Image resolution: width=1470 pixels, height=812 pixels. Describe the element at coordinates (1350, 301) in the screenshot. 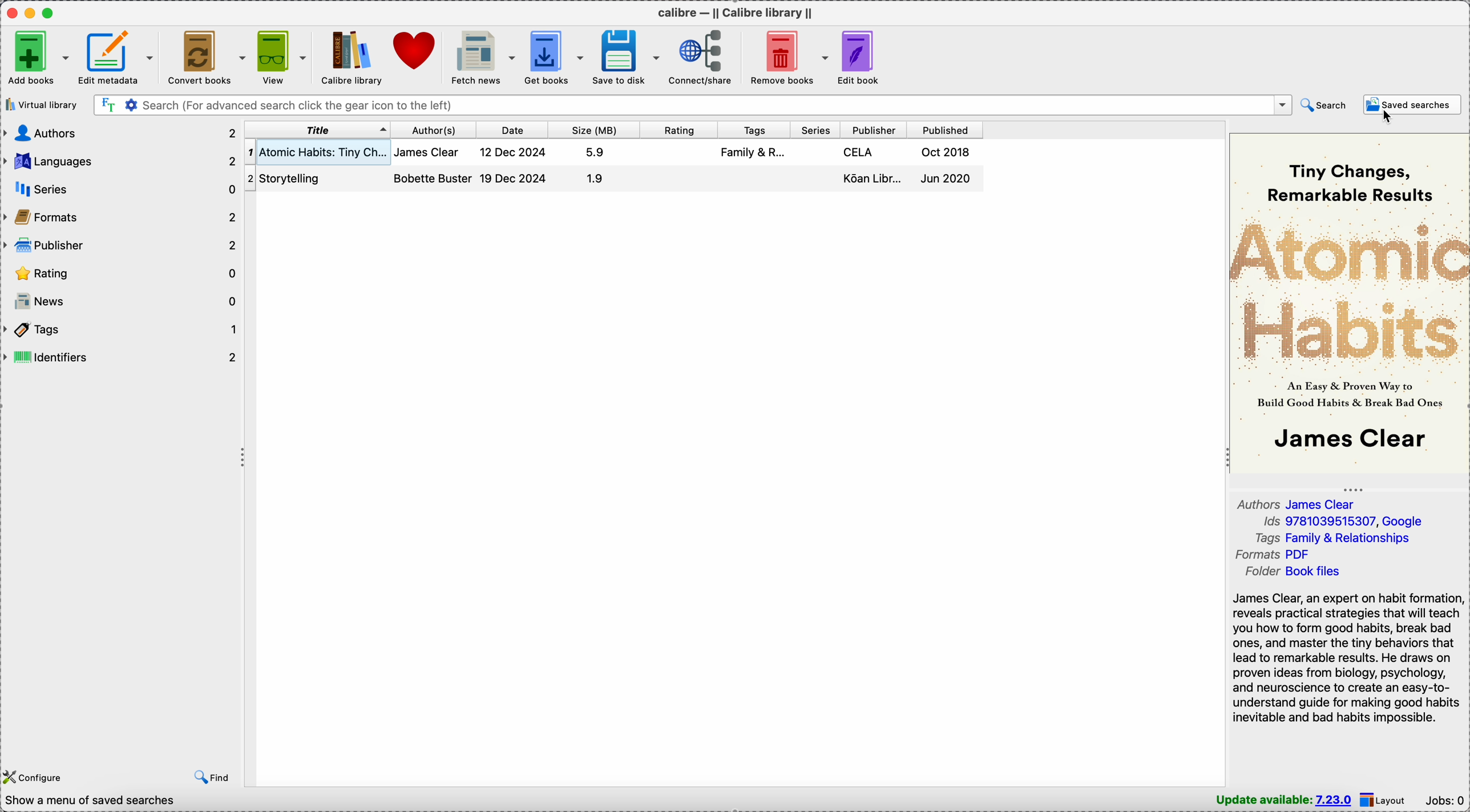

I see `book cover preview` at that location.